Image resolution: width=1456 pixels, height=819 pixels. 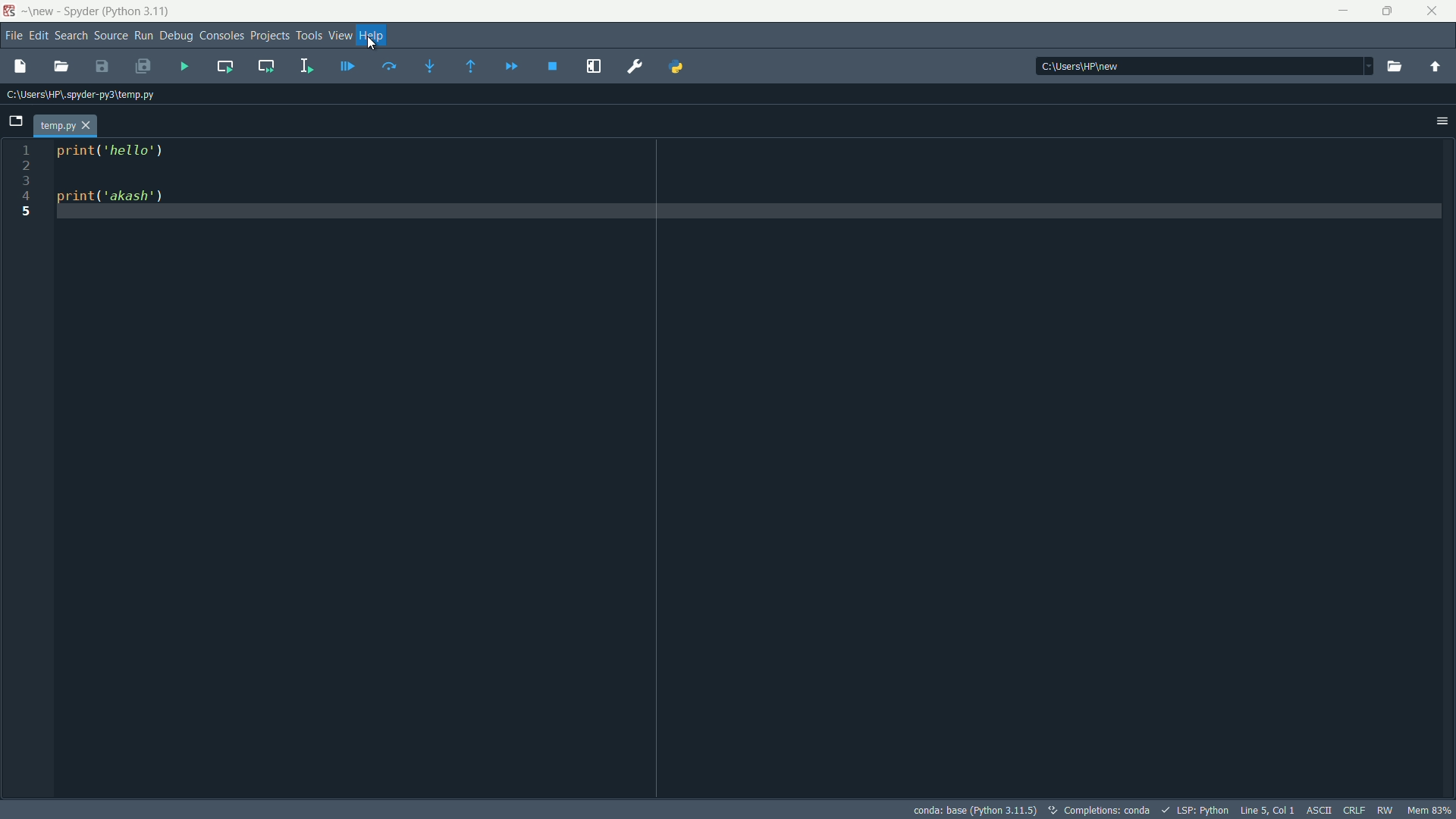 I want to click on close app, so click(x=1433, y=11).